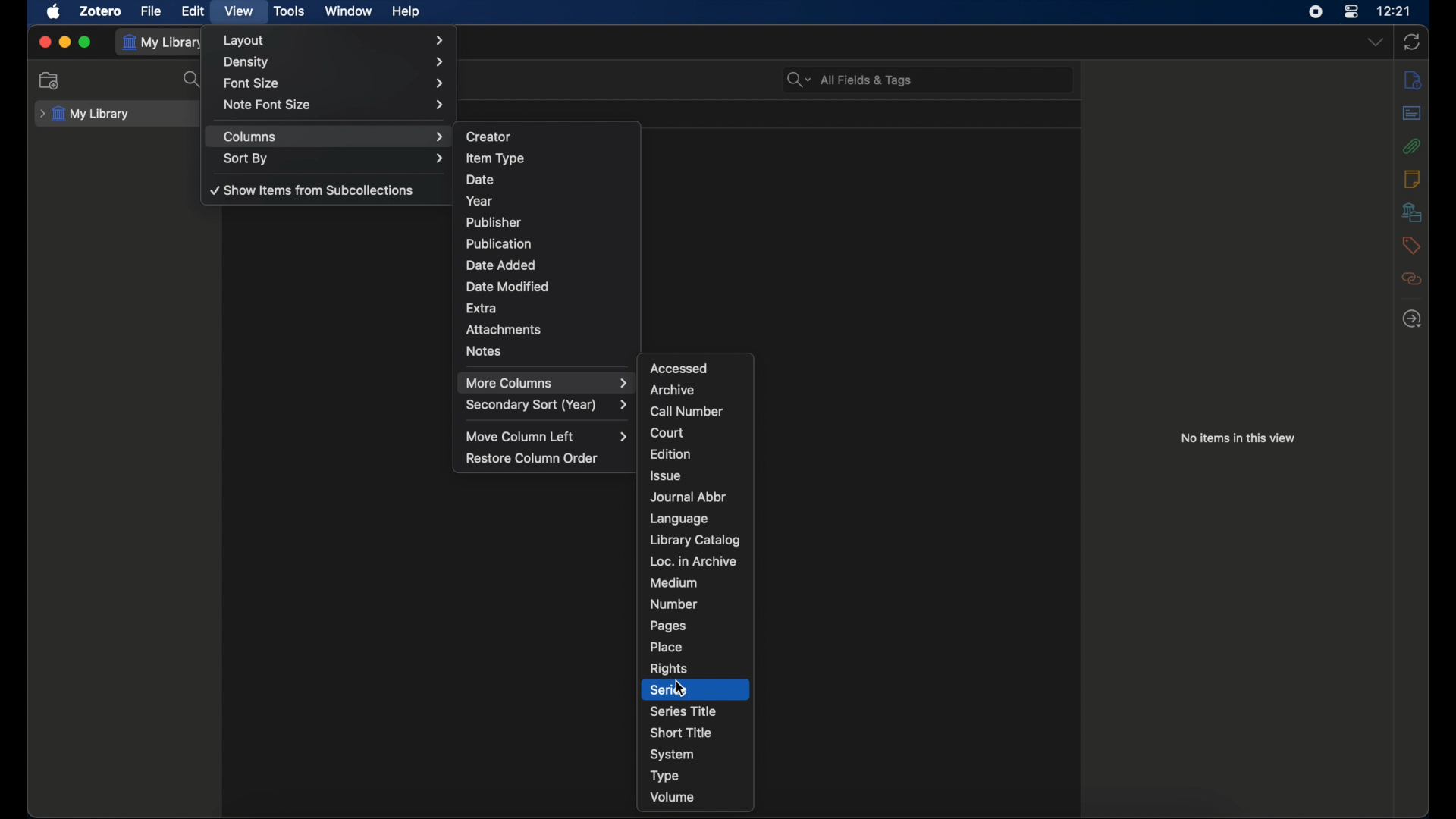 This screenshot has width=1456, height=819. What do you see at coordinates (54, 11) in the screenshot?
I see `apple` at bounding box center [54, 11].